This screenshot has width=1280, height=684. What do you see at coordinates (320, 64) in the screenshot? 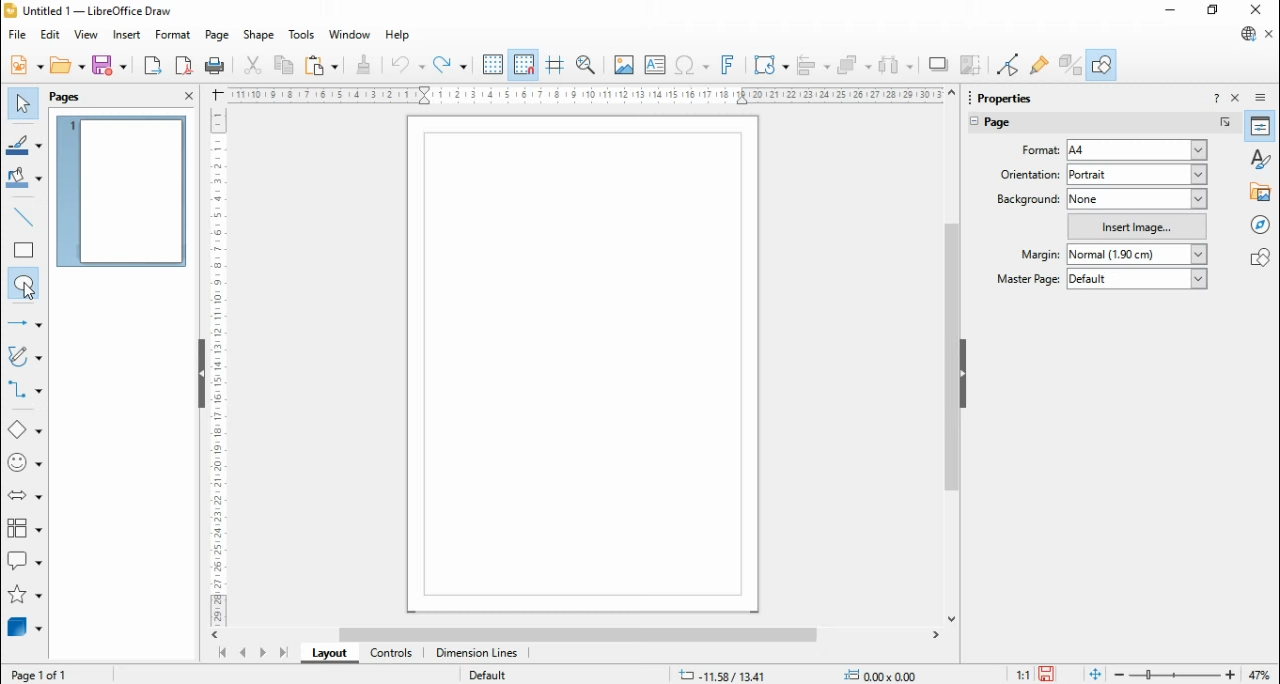
I see `paste` at bounding box center [320, 64].